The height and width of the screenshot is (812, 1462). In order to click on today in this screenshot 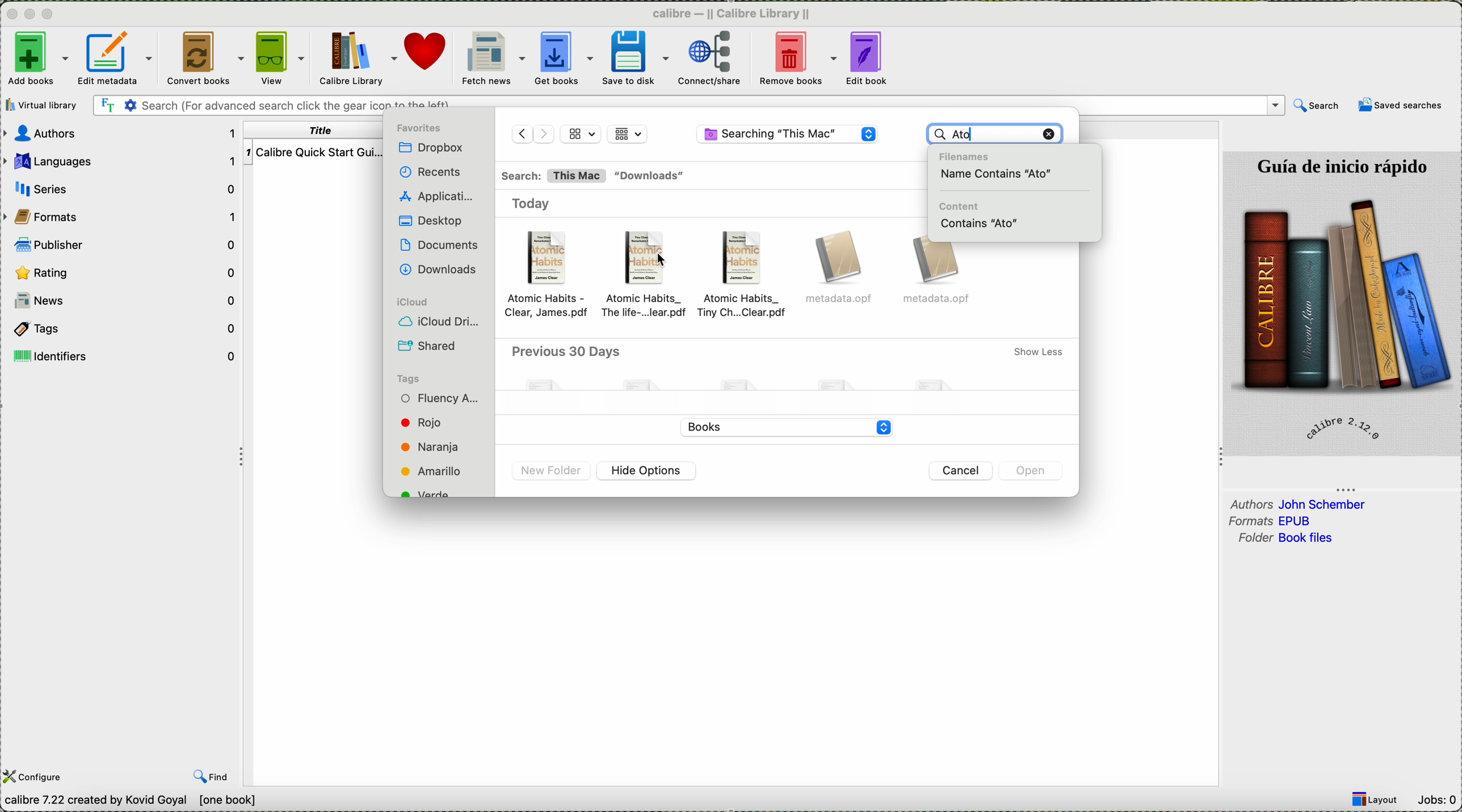, I will do `click(538, 204)`.